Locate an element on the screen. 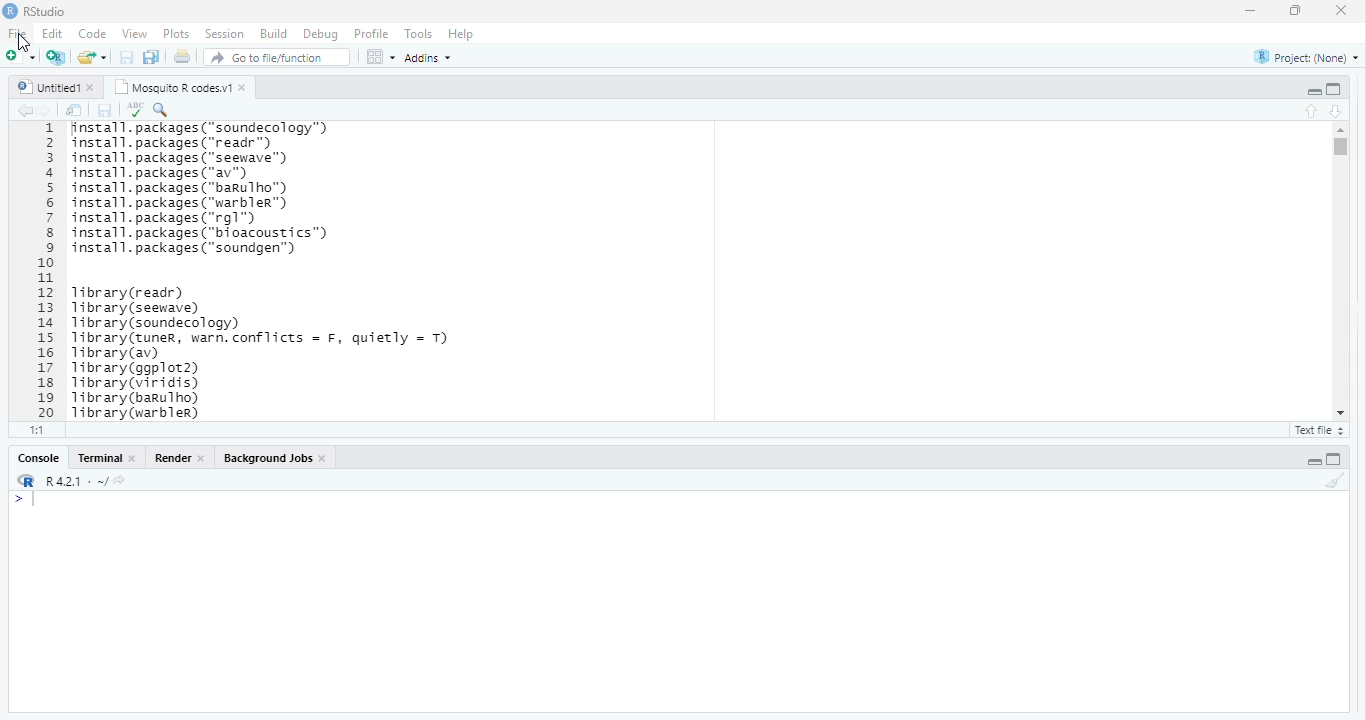 Image resolution: width=1366 pixels, height=720 pixels. full view is located at coordinates (1334, 89).